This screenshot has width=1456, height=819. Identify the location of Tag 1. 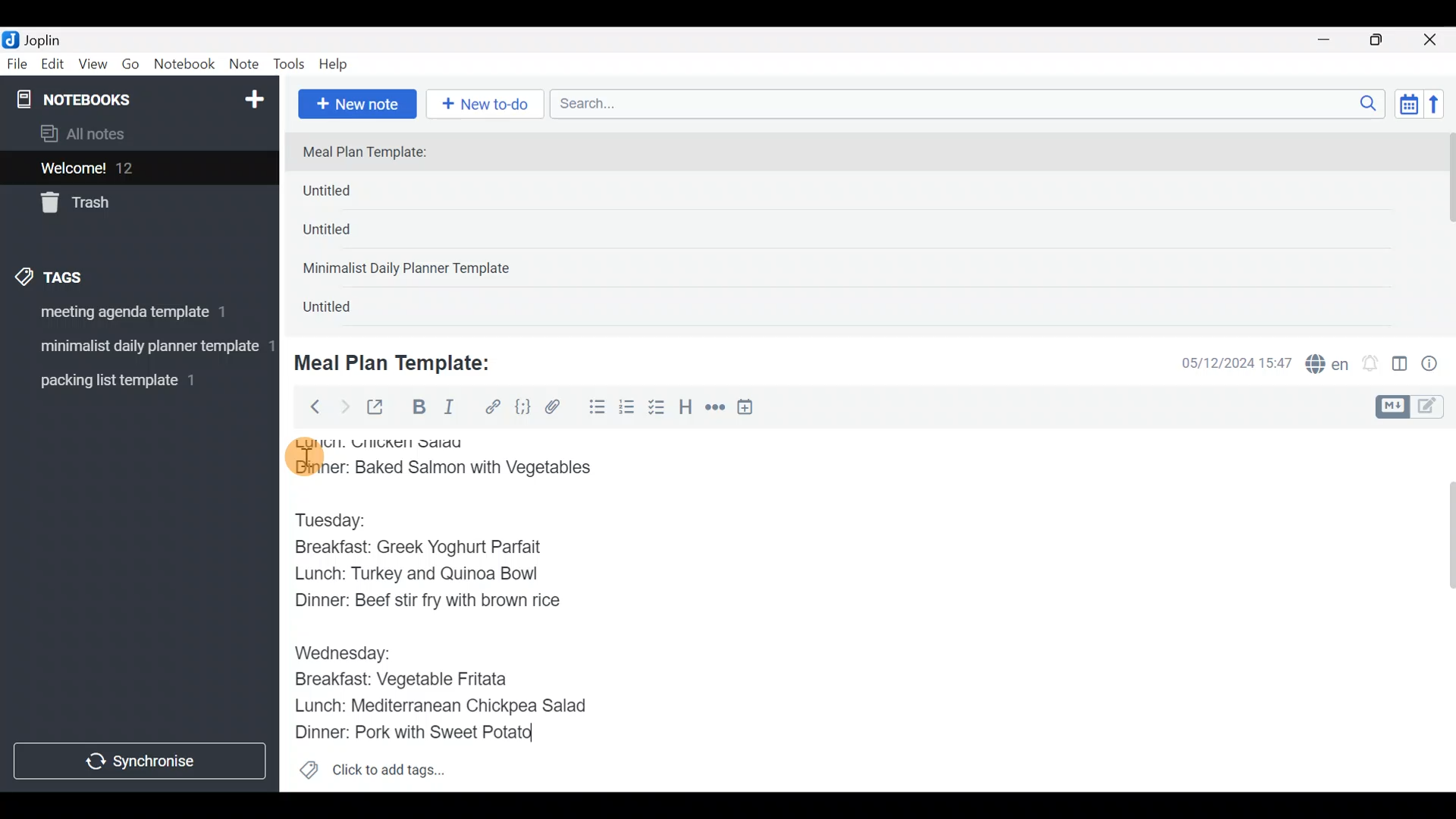
(135, 316).